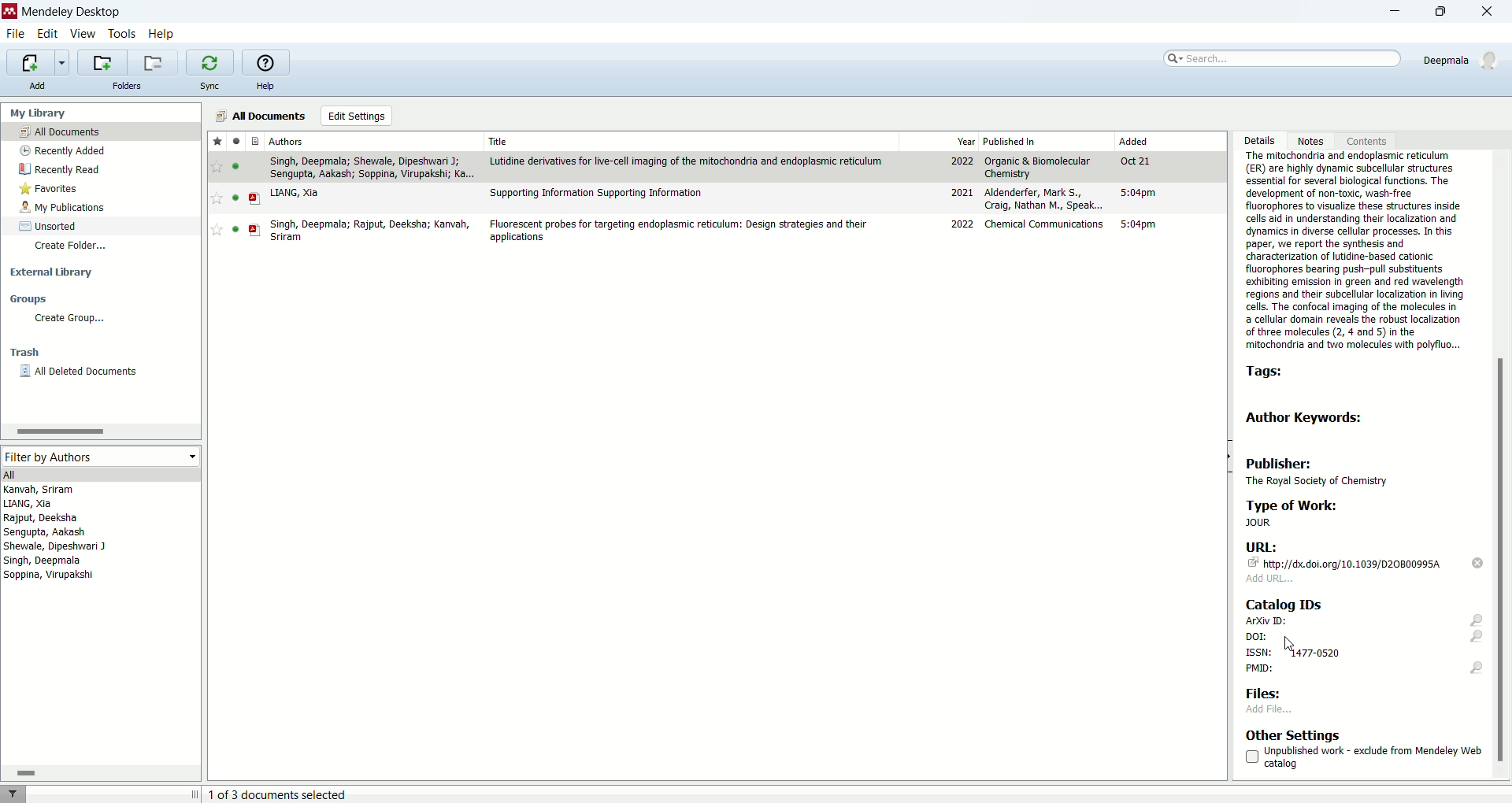  Describe the element at coordinates (72, 14) in the screenshot. I see `mendeley desktop` at that location.